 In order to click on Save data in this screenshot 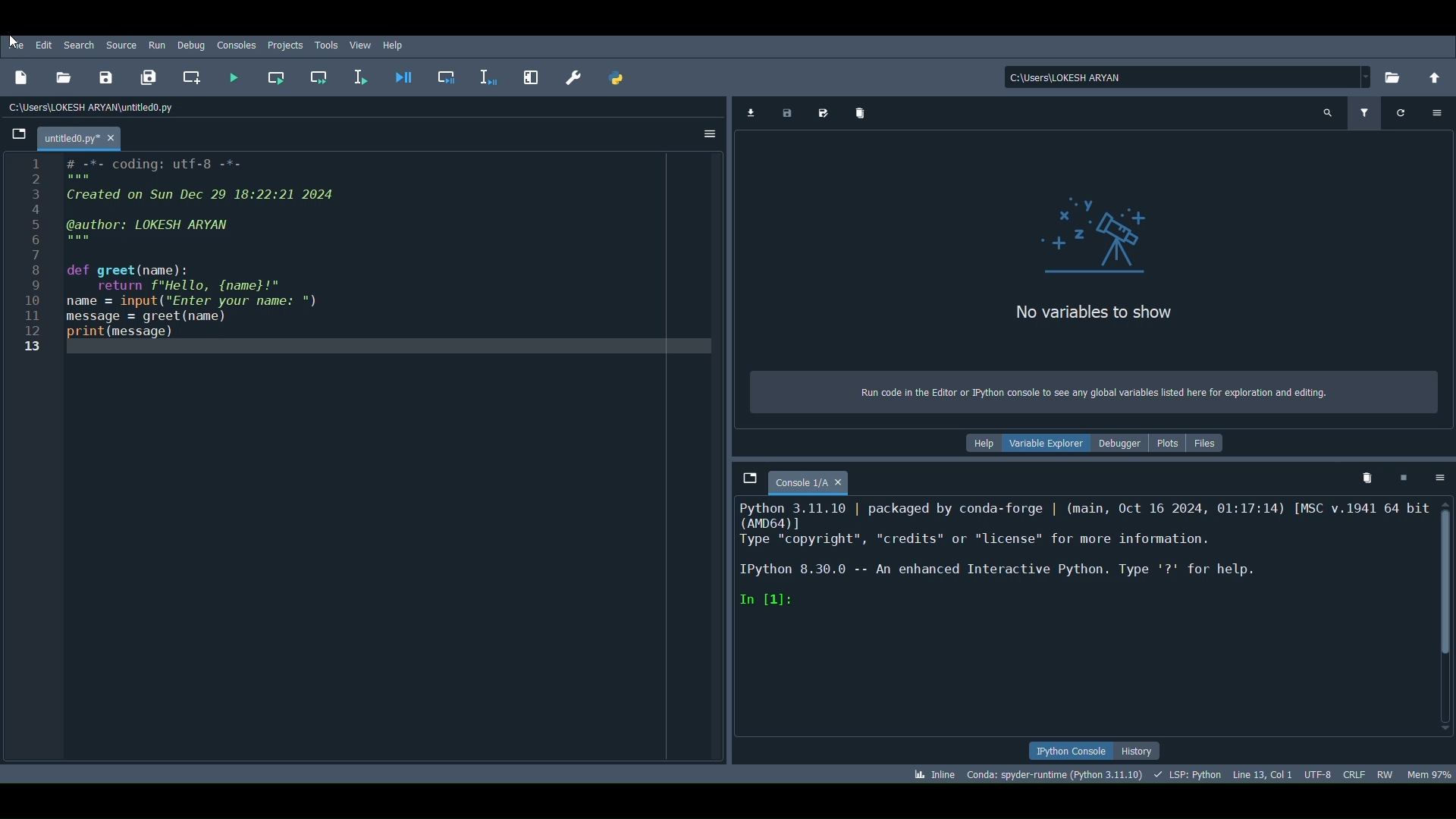, I will do `click(788, 113)`.